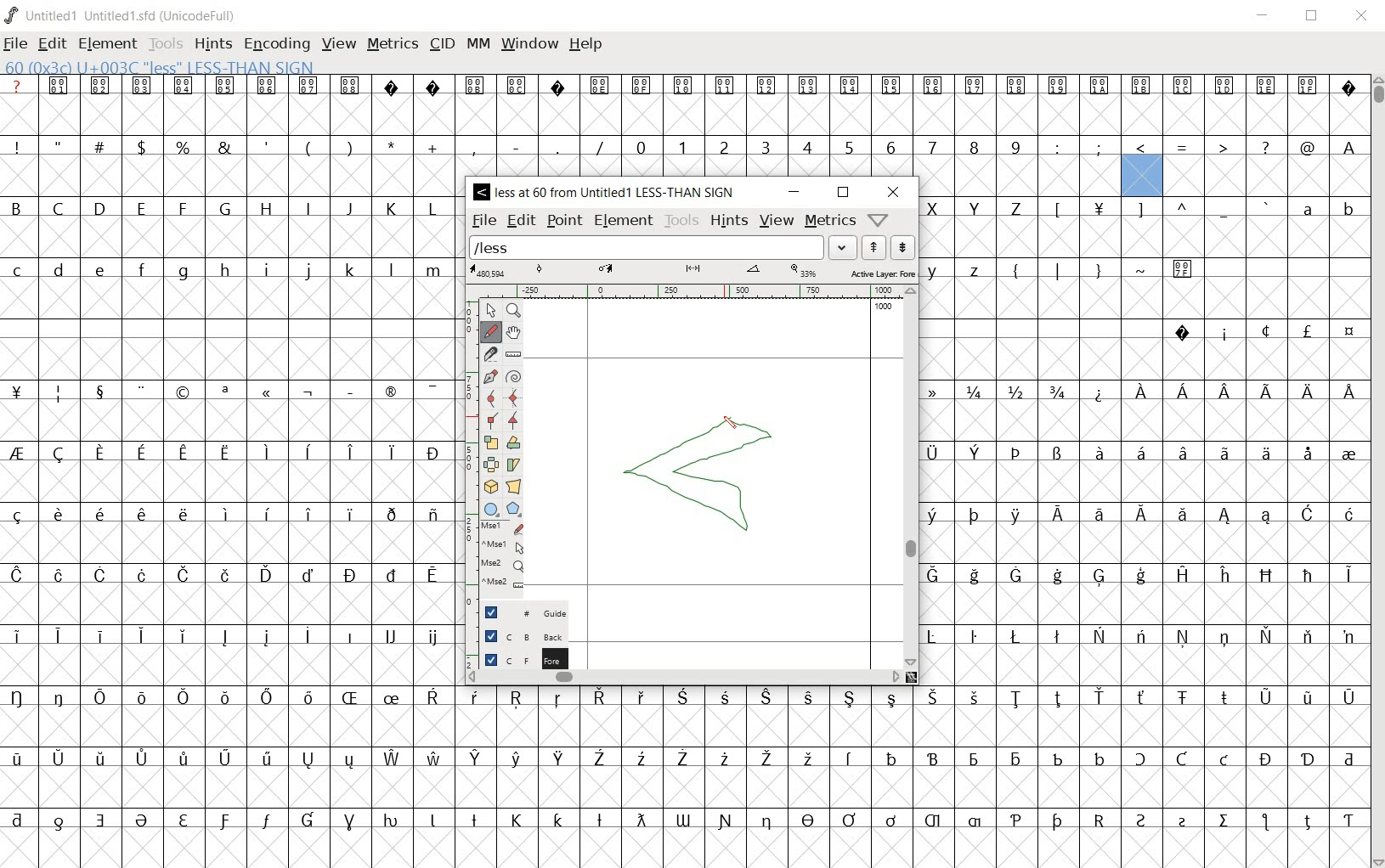 Image resolution: width=1385 pixels, height=868 pixels. Describe the element at coordinates (830, 222) in the screenshot. I see `metrics` at that location.